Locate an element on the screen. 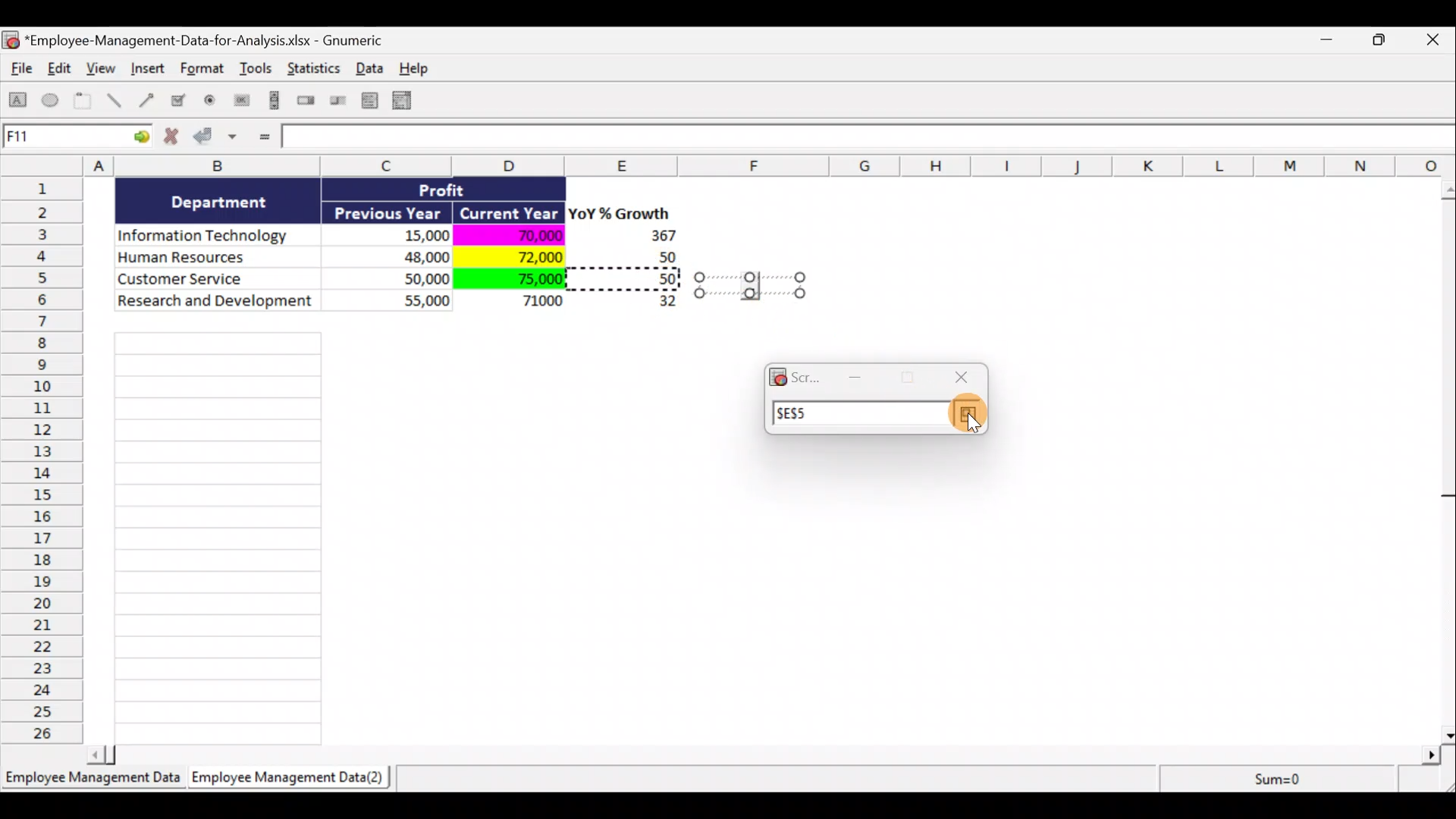 This screenshot has height=819, width=1456. Cells is located at coordinates (218, 534).